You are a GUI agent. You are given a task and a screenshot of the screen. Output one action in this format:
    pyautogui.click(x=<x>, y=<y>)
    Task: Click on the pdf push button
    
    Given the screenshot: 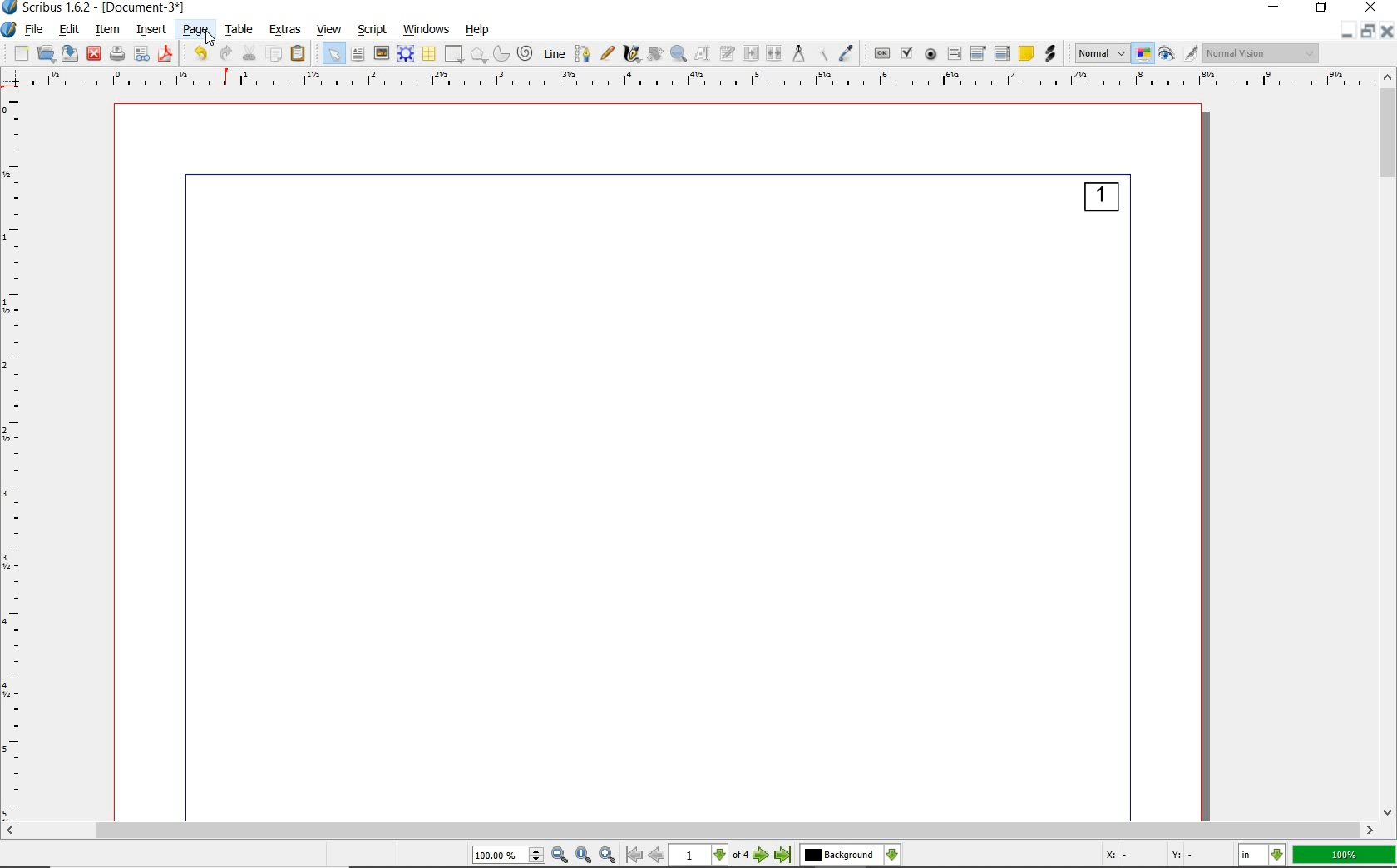 What is the action you would take?
    pyautogui.click(x=881, y=52)
    